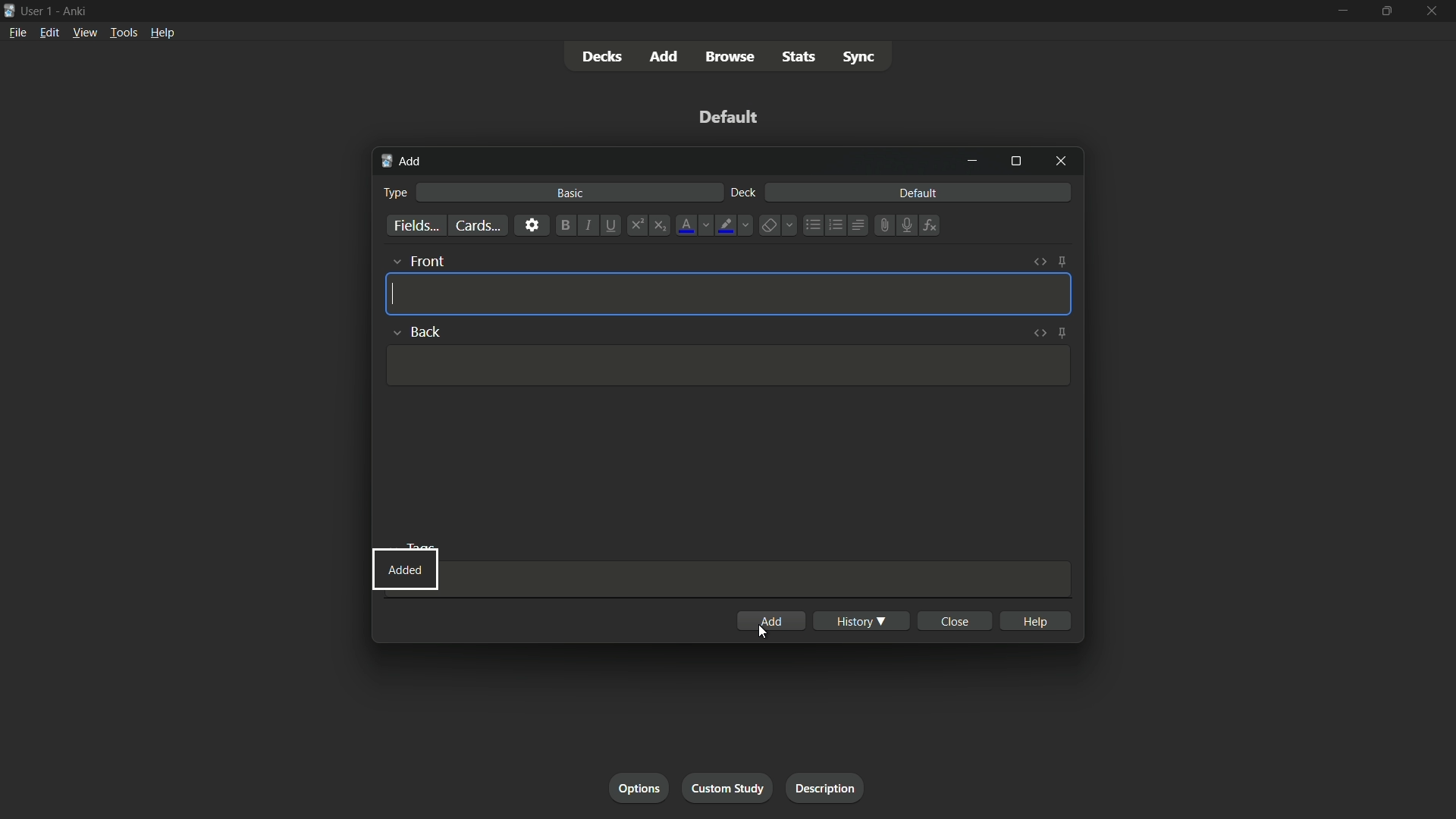  What do you see at coordinates (613, 225) in the screenshot?
I see `underline` at bounding box center [613, 225].